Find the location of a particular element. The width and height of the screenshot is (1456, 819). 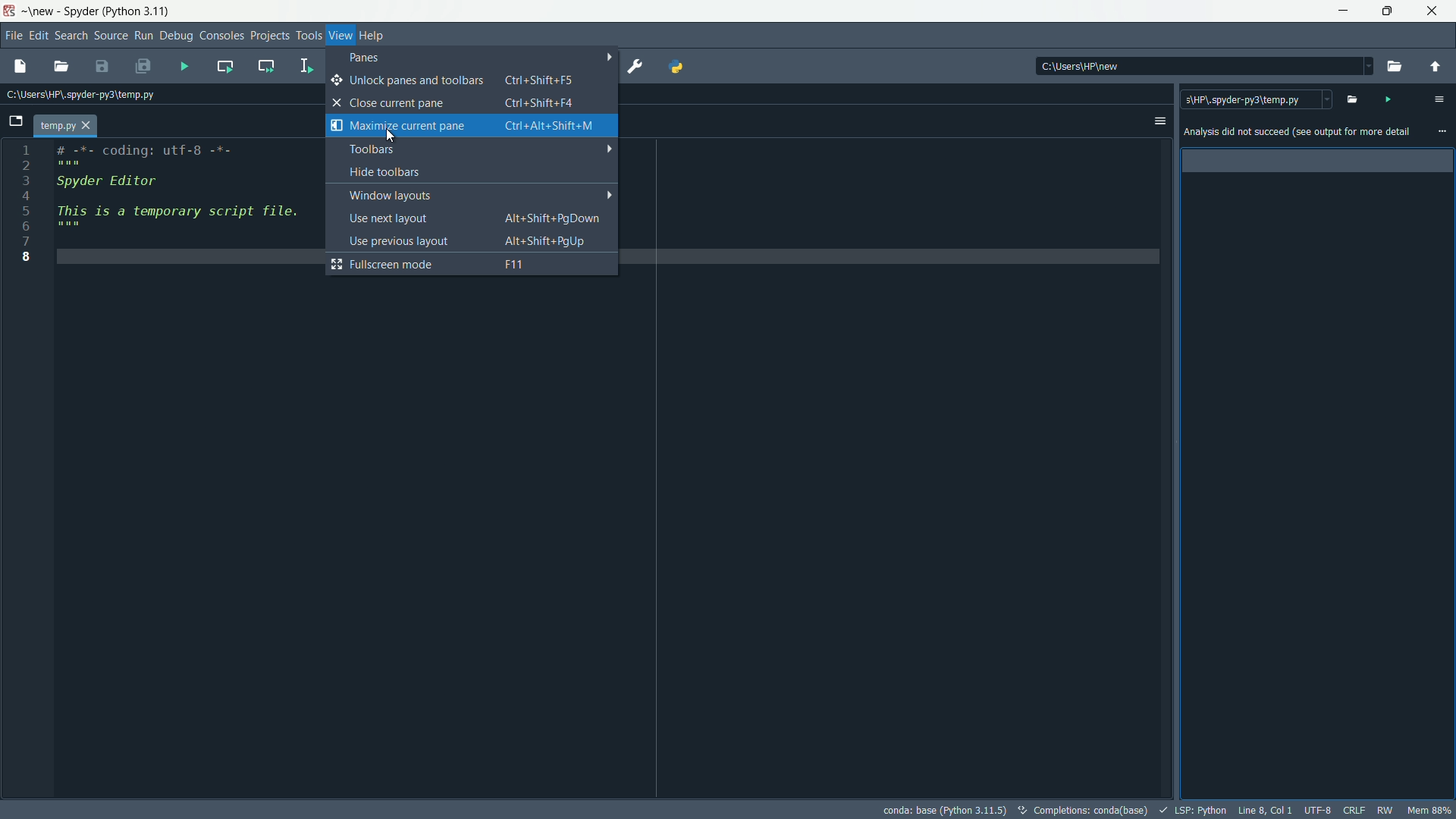

close current pane is located at coordinates (469, 102).